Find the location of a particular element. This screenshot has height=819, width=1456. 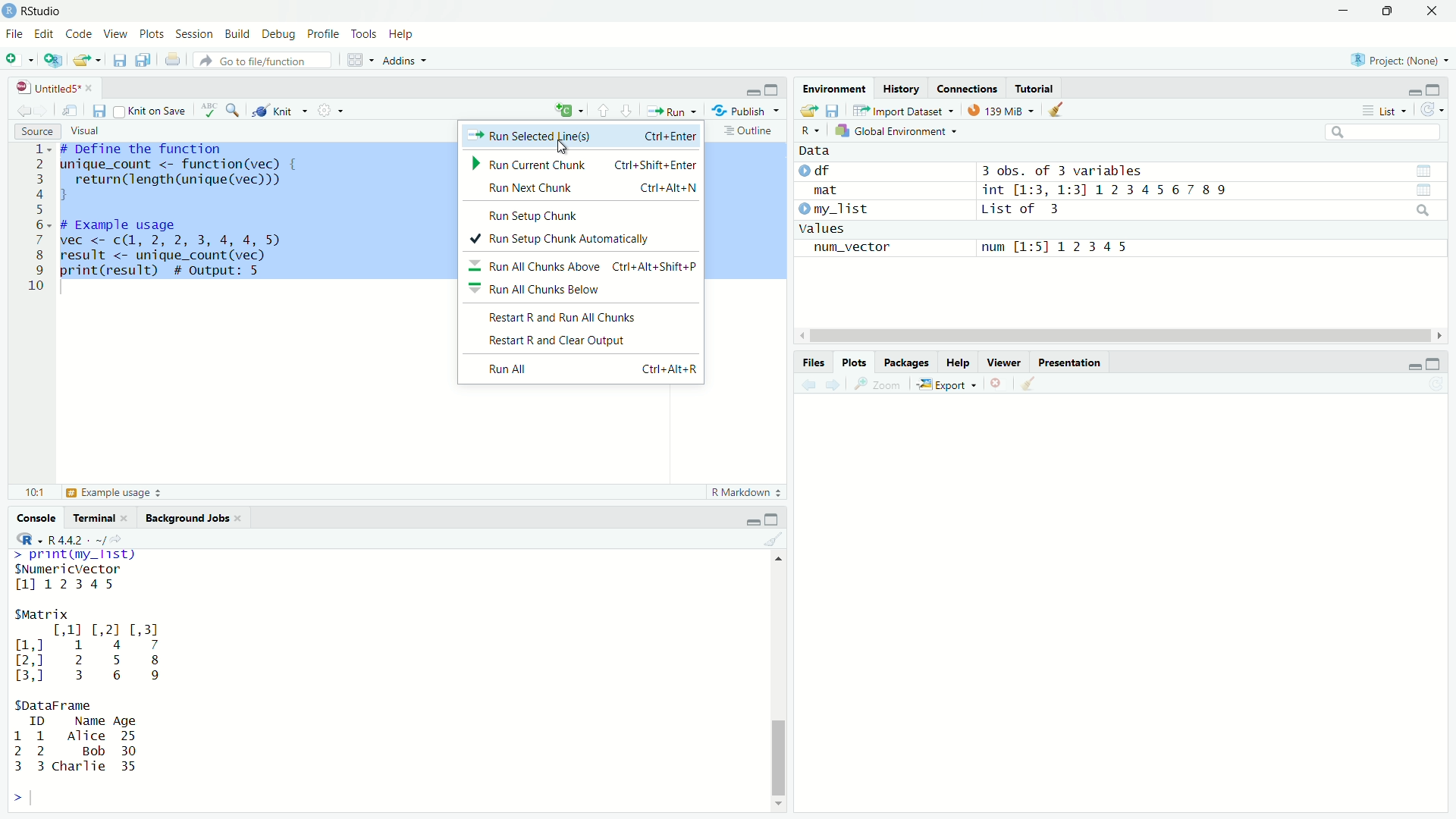

close app is located at coordinates (1433, 12).